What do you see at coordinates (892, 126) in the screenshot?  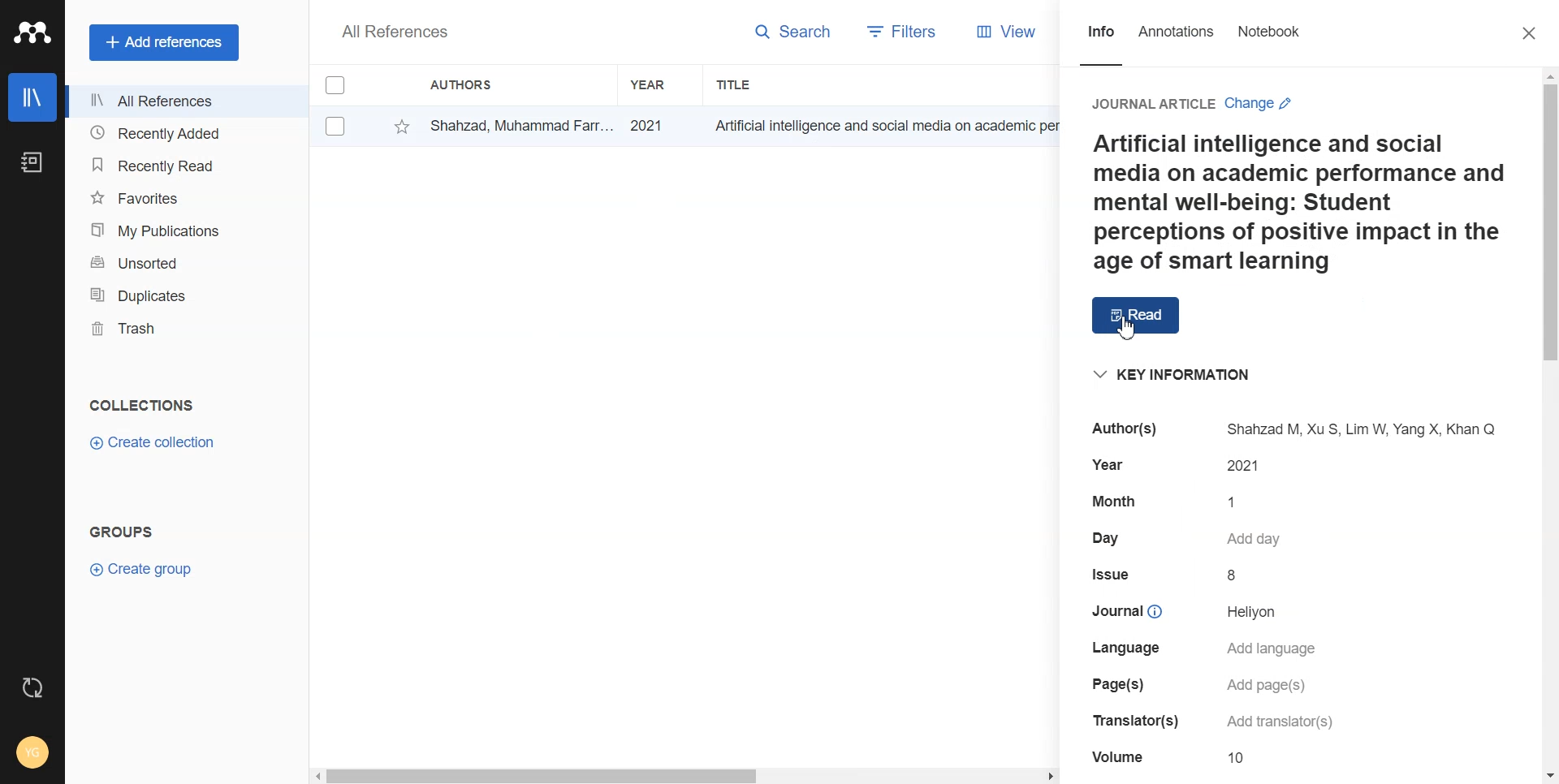 I see `Artificial Intelligence and social media on academic performance and mental...` at bounding box center [892, 126].